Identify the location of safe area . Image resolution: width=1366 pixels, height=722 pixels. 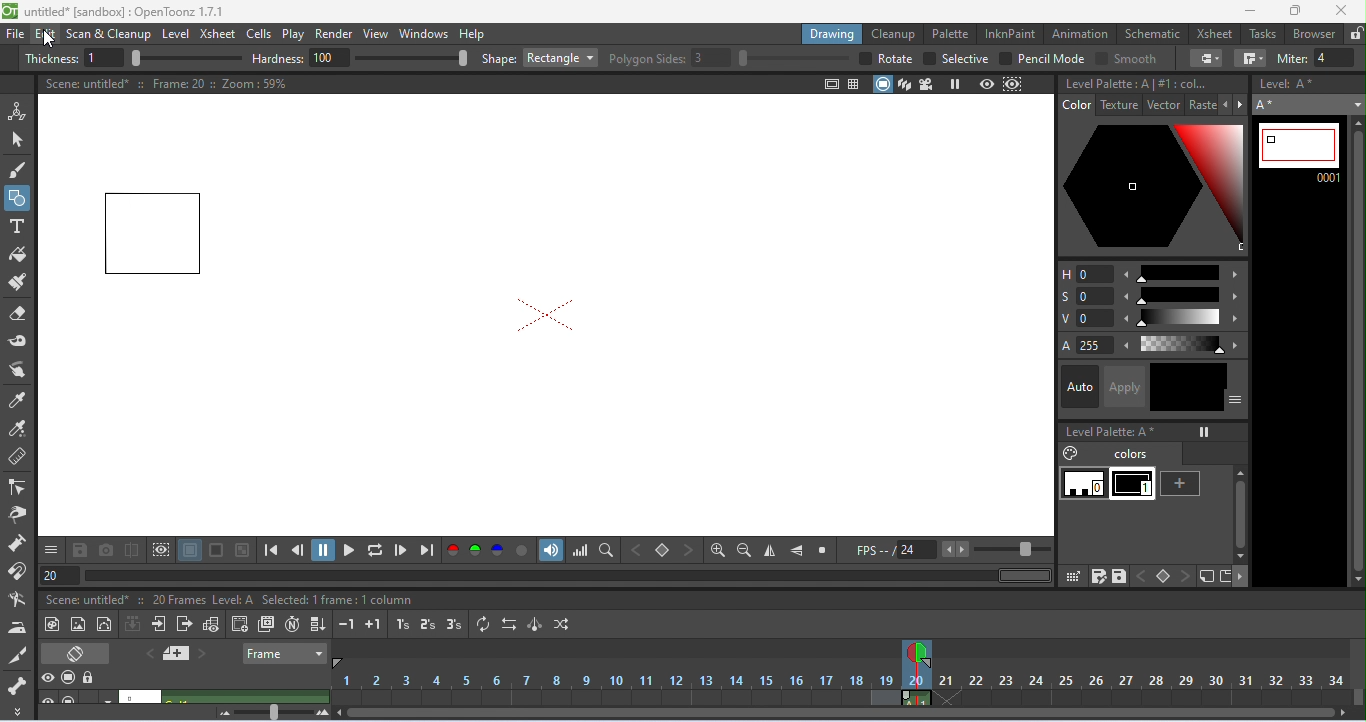
(830, 85).